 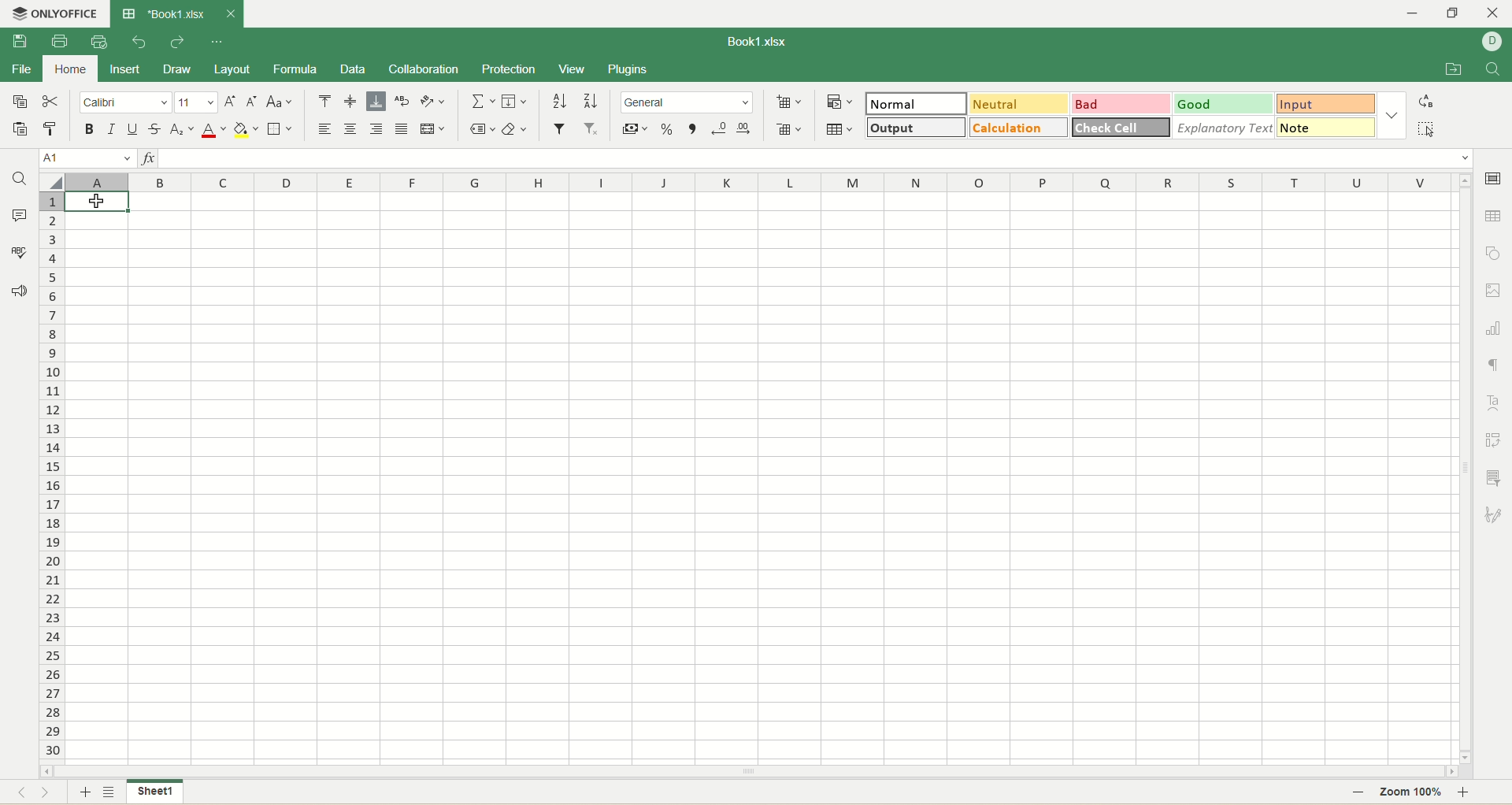 I want to click on copy, so click(x=19, y=102).